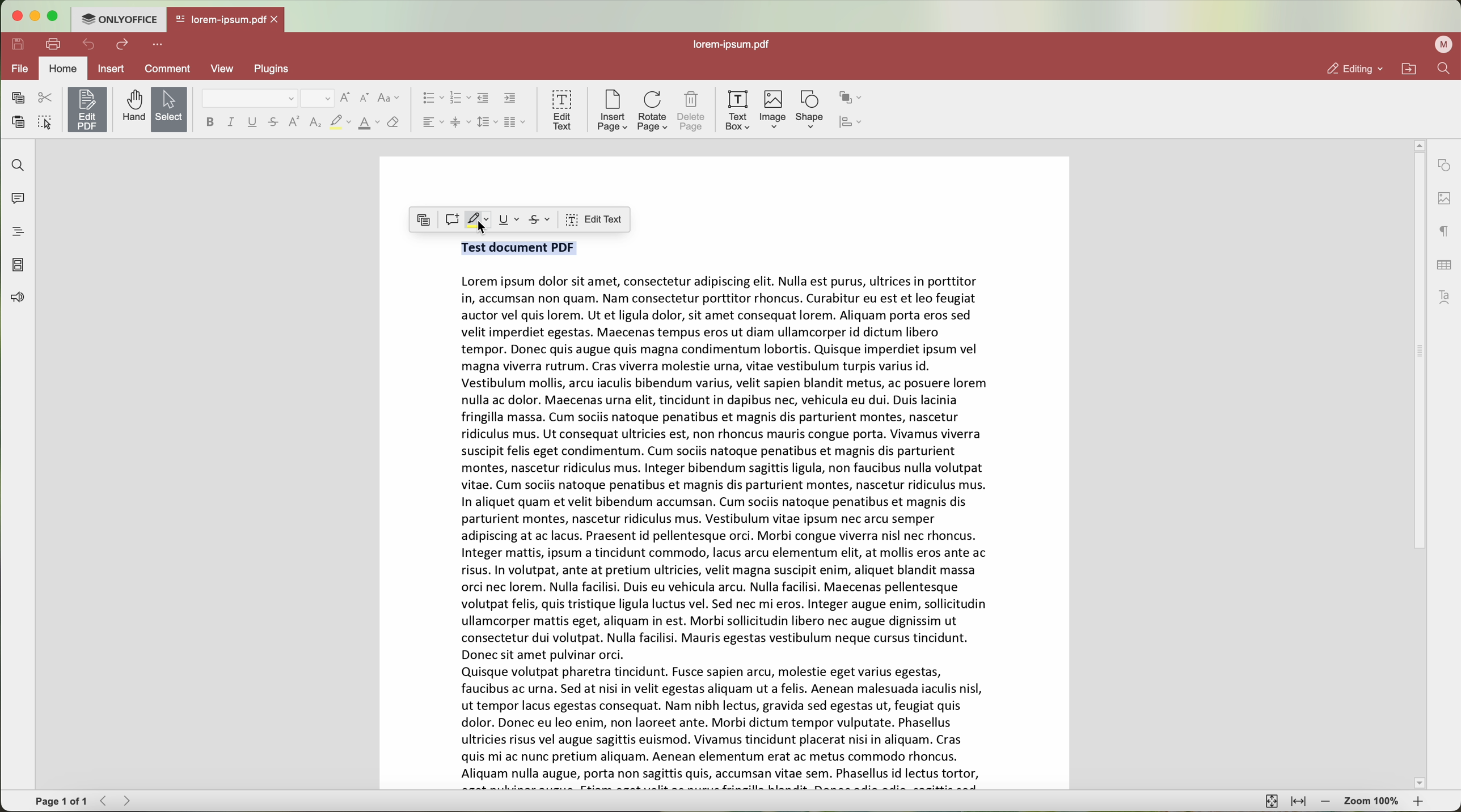 The image size is (1461, 812). I want to click on page 1 of 1, so click(57, 802).